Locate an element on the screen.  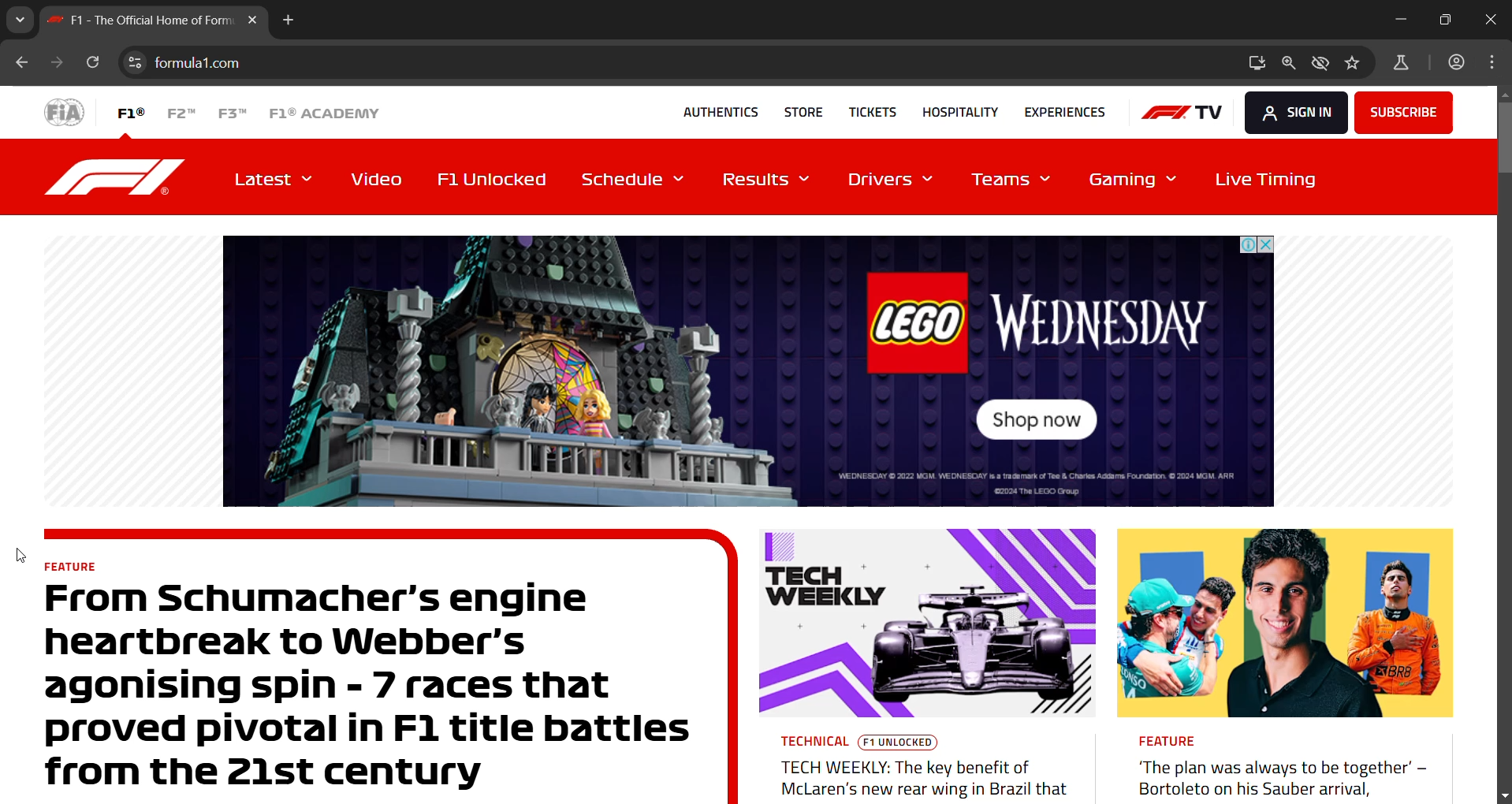
Gaming is located at coordinates (1132, 181).